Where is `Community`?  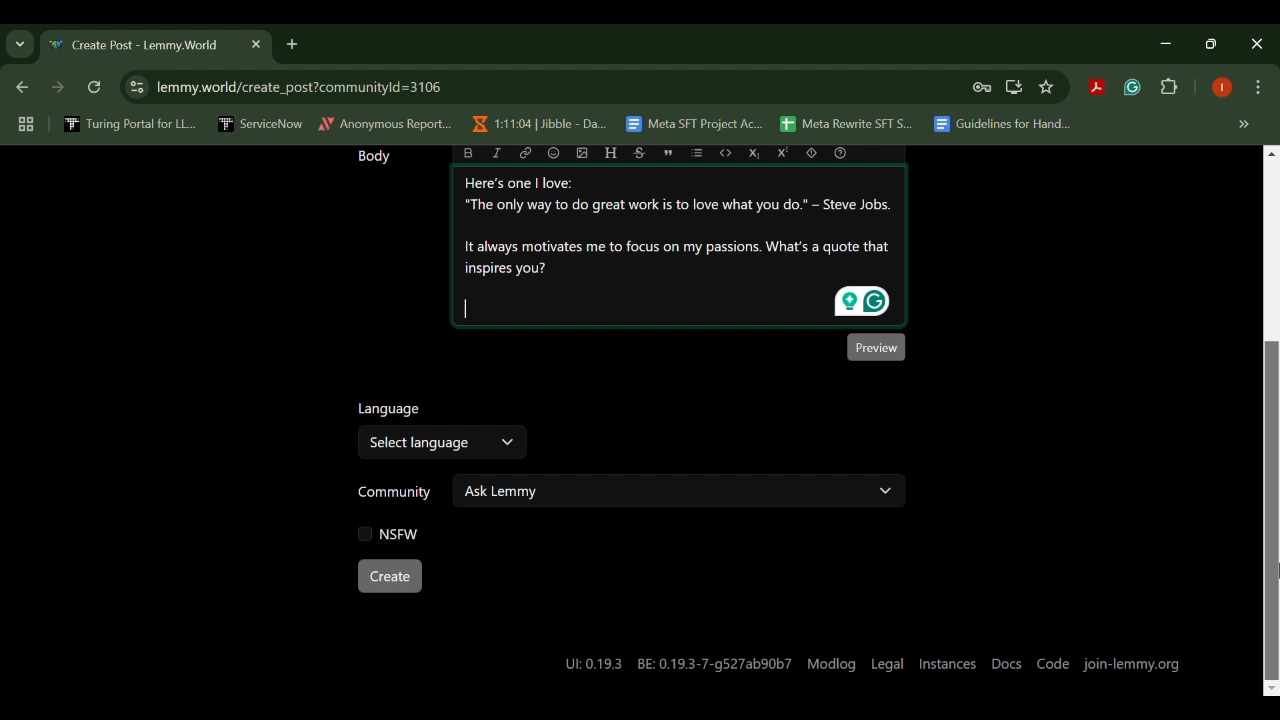 Community is located at coordinates (394, 494).